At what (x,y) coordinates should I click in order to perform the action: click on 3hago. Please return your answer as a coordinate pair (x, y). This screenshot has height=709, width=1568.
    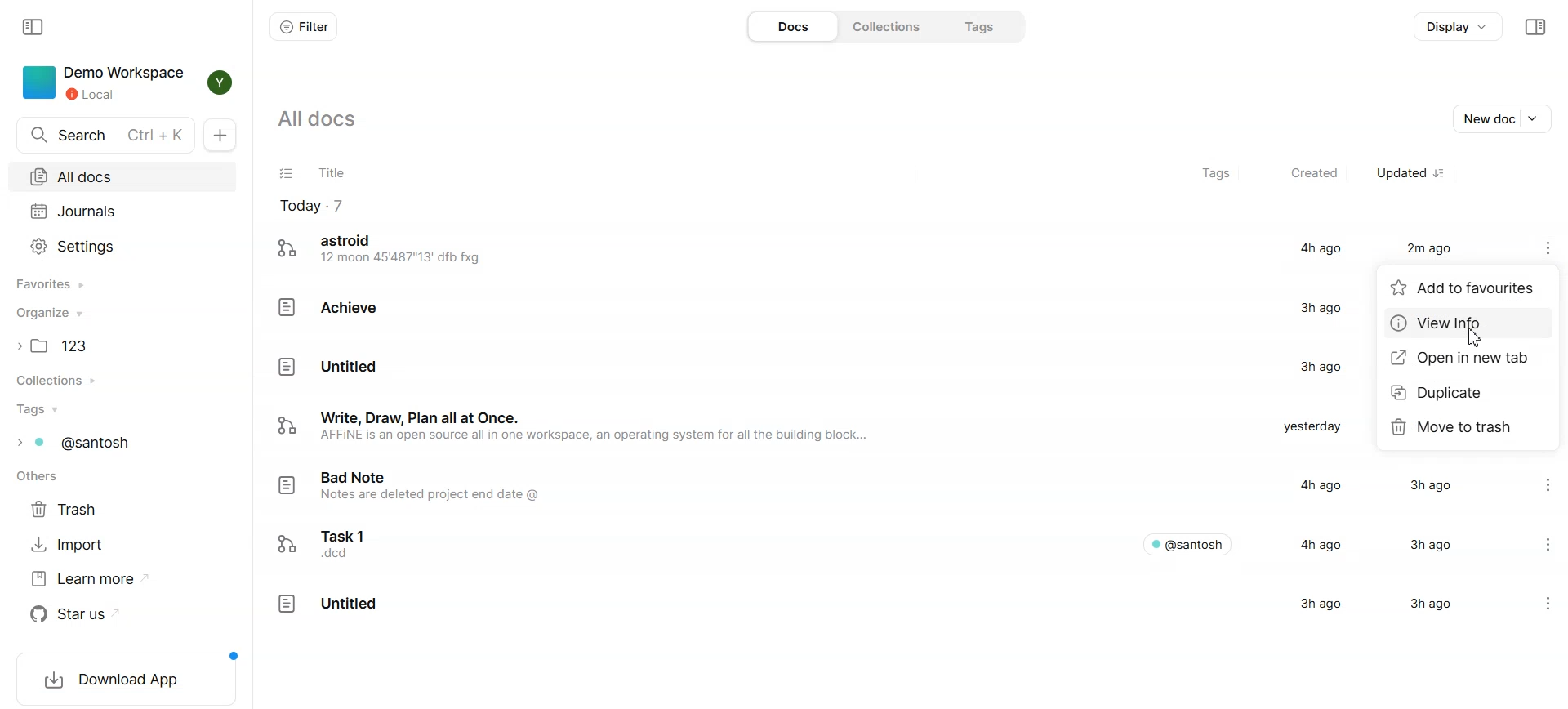
    Looking at the image, I should click on (1424, 543).